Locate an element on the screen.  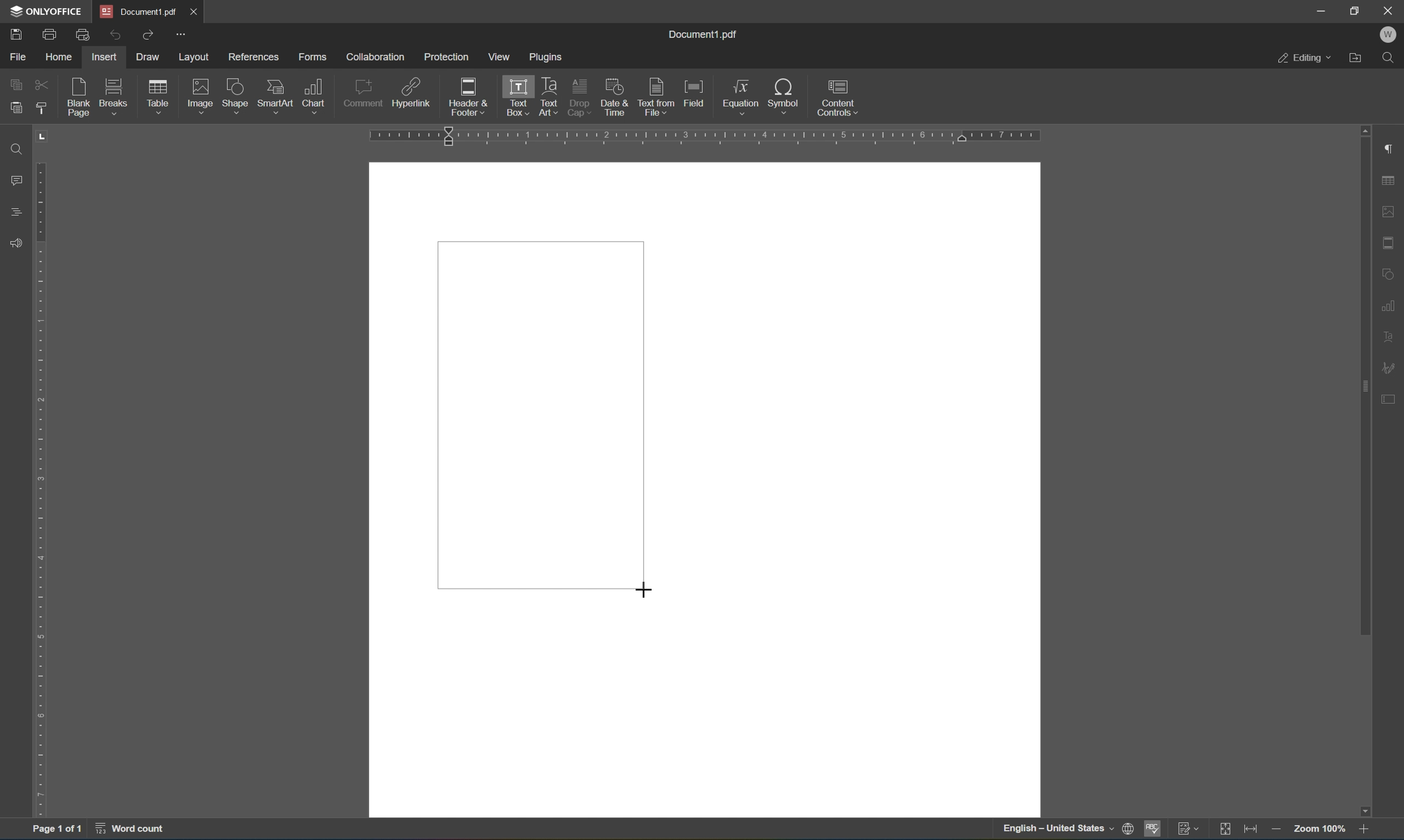
Find is located at coordinates (18, 150).